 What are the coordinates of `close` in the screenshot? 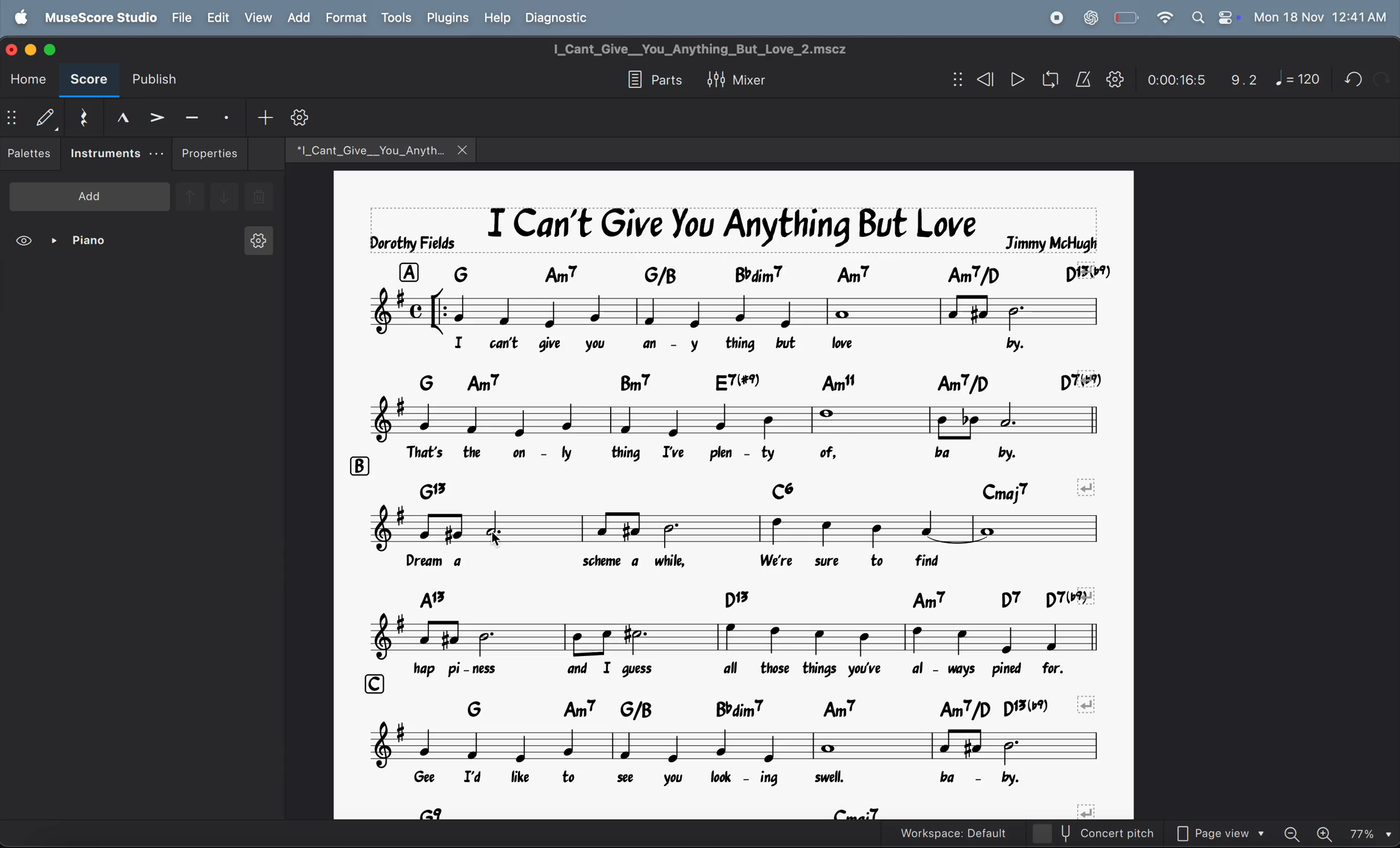 It's located at (465, 149).